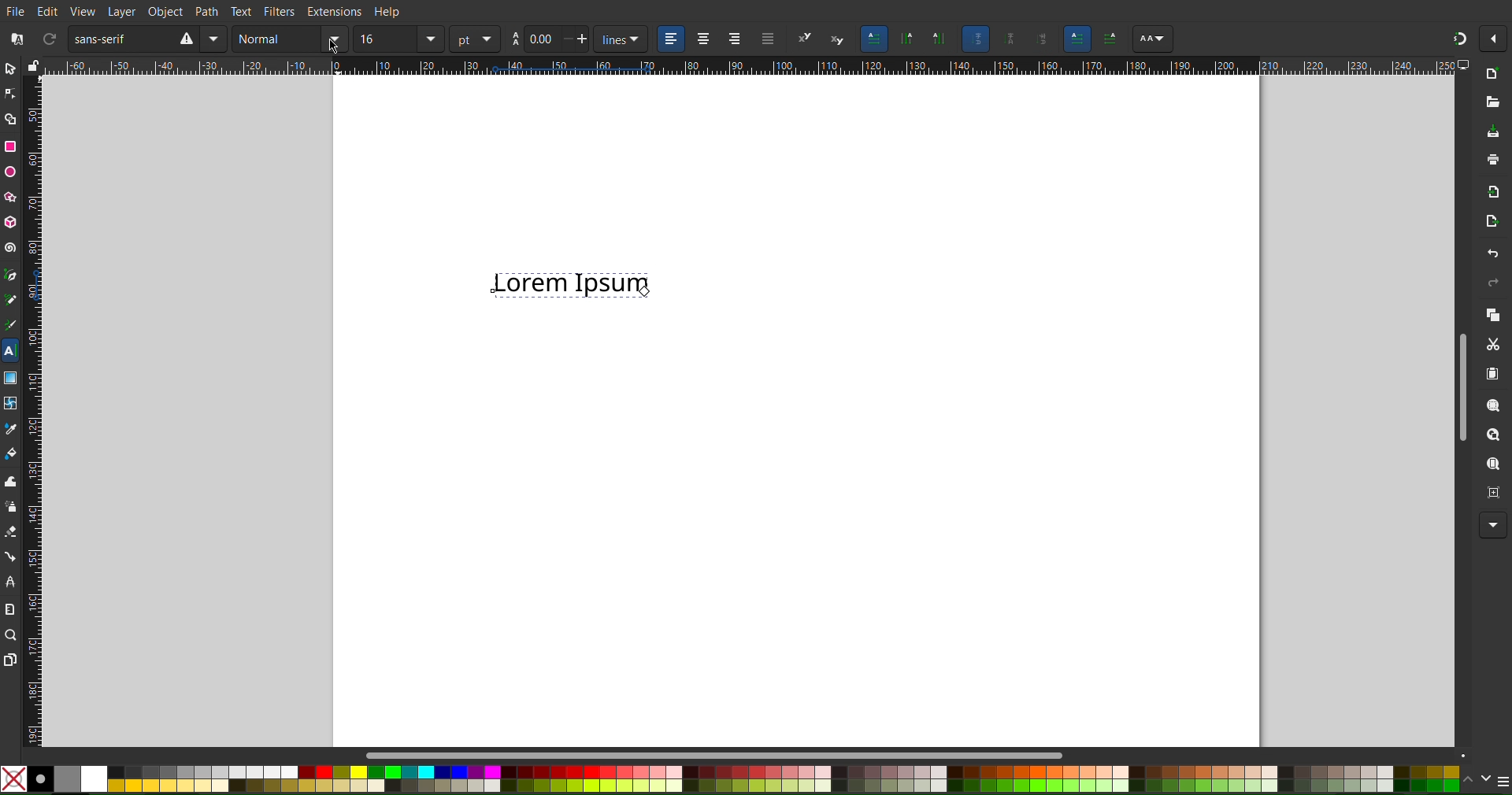 The image size is (1512, 795). What do you see at coordinates (11, 453) in the screenshot?
I see `Fill Color` at bounding box center [11, 453].